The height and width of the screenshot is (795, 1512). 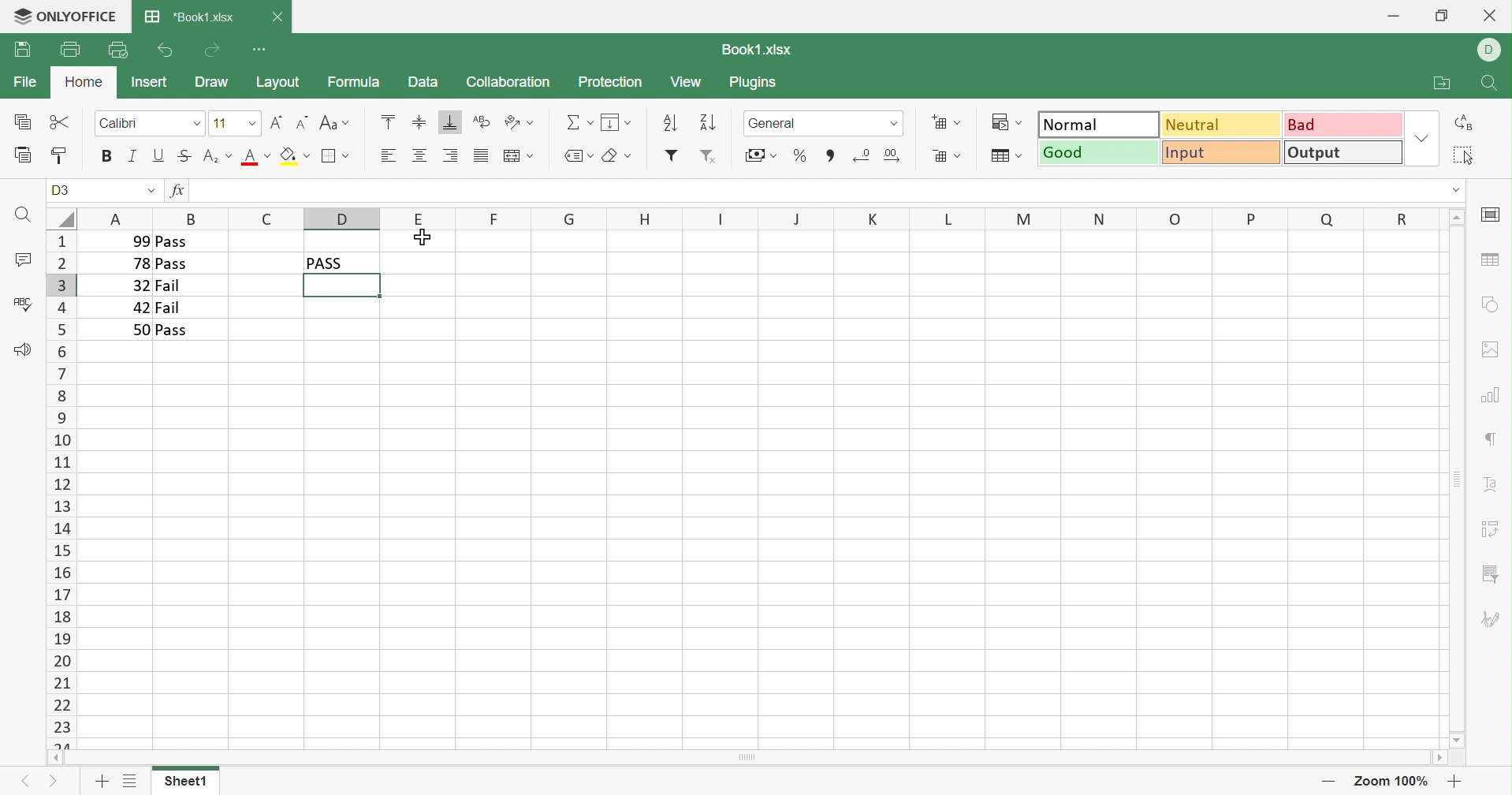 I want to click on Insert, so click(x=148, y=81).